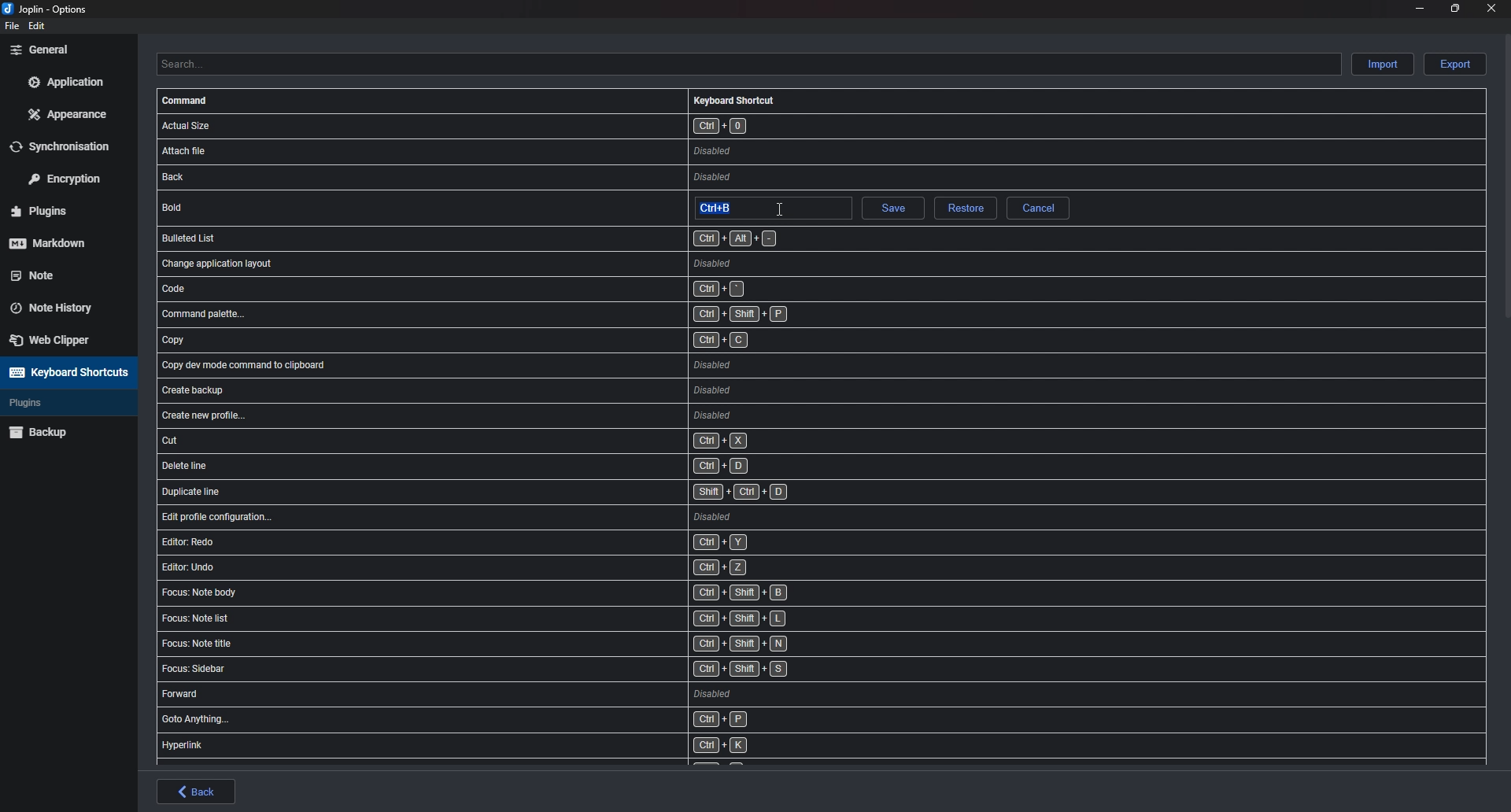  Describe the element at coordinates (65, 431) in the screenshot. I see `Back up` at that location.